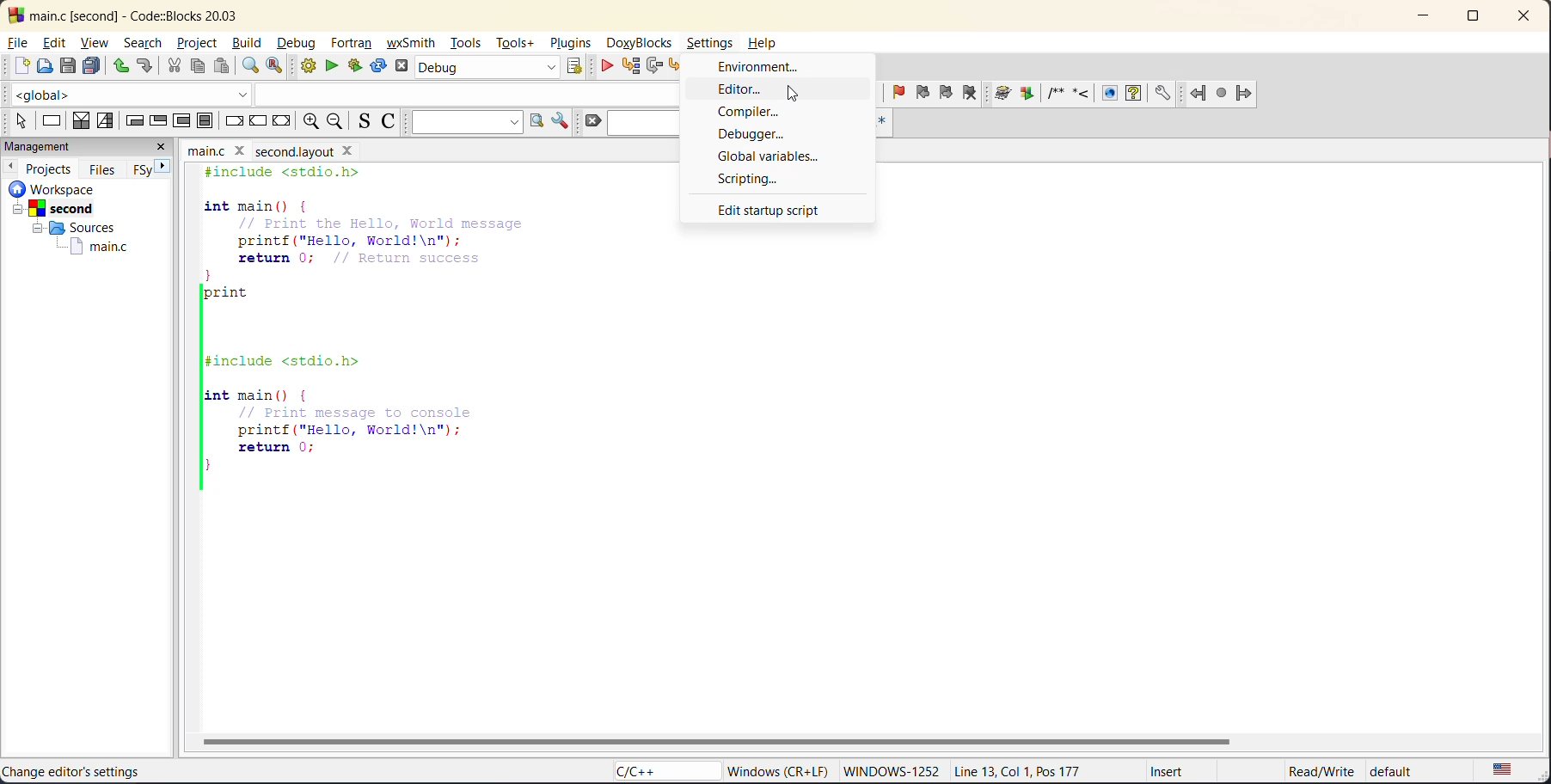 This screenshot has height=784, width=1551. Describe the element at coordinates (719, 740) in the screenshot. I see `horizontal scroll bar` at that location.